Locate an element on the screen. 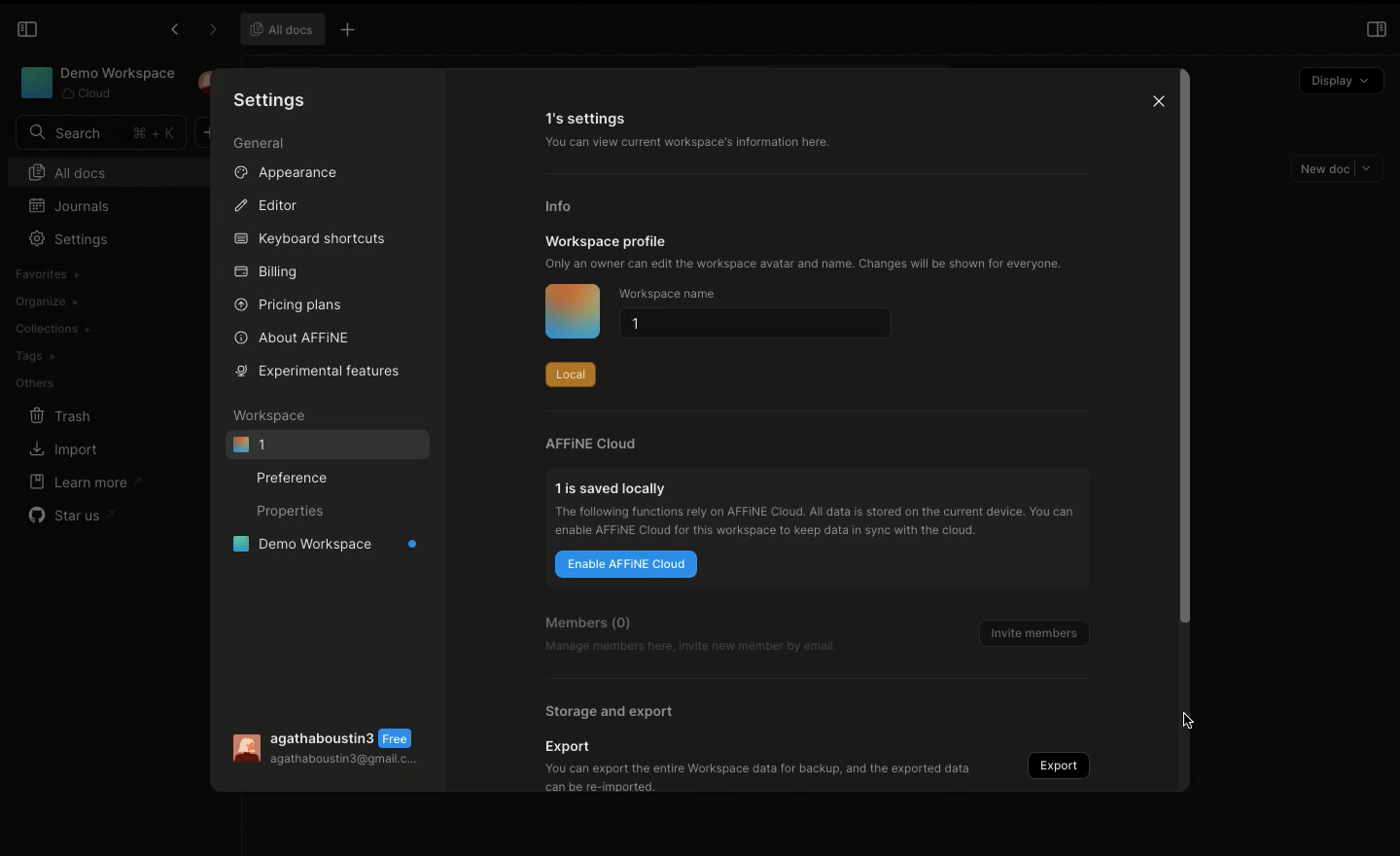 The height and width of the screenshot is (856, 1400). Manage members here, invite new member by email is located at coordinates (696, 648).